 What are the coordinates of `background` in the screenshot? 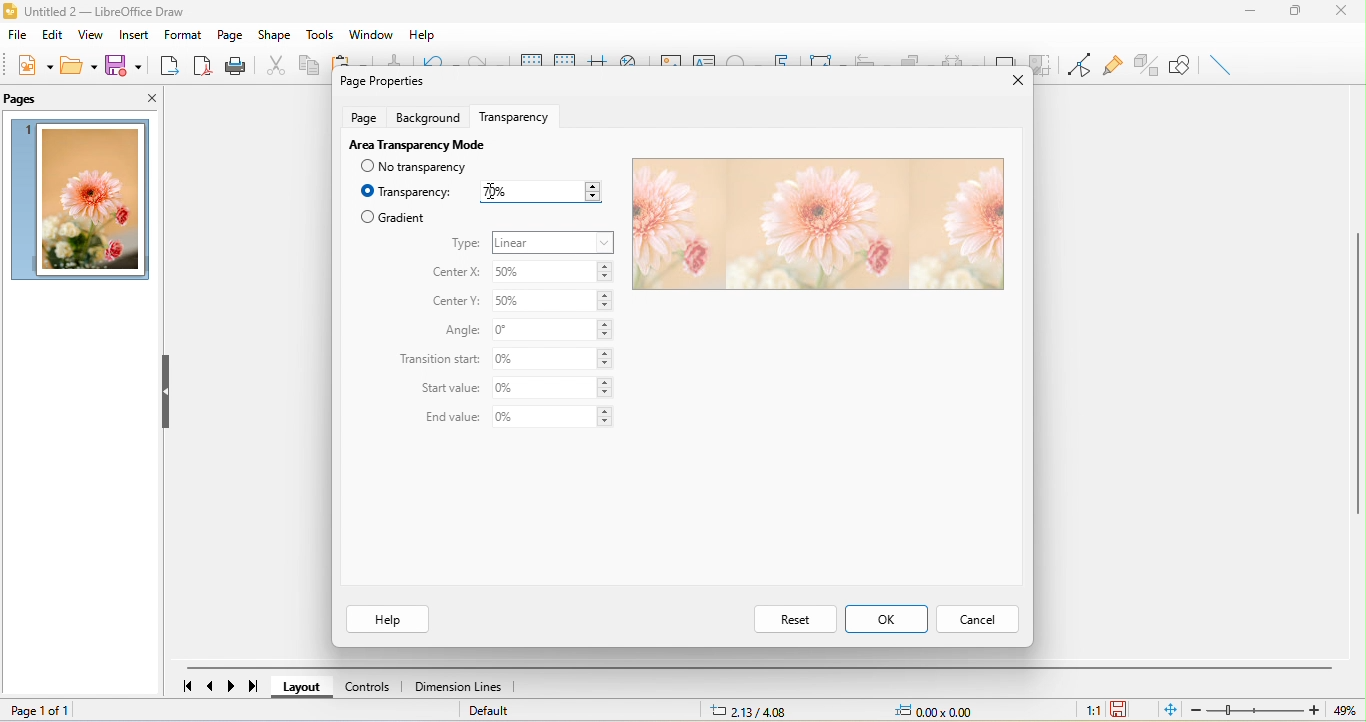 It's located at (431, 116).